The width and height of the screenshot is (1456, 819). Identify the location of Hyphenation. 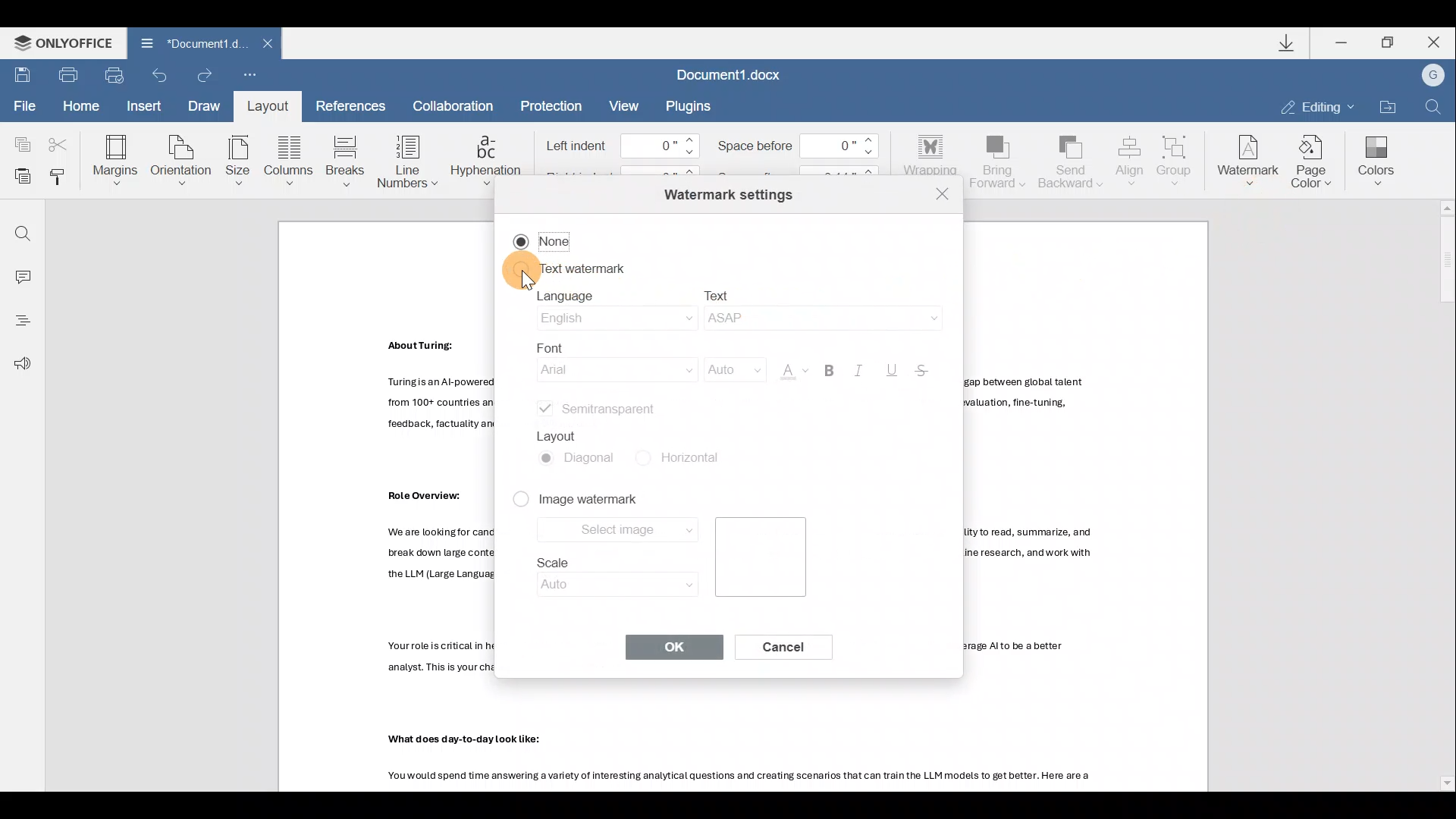
(488, 162).